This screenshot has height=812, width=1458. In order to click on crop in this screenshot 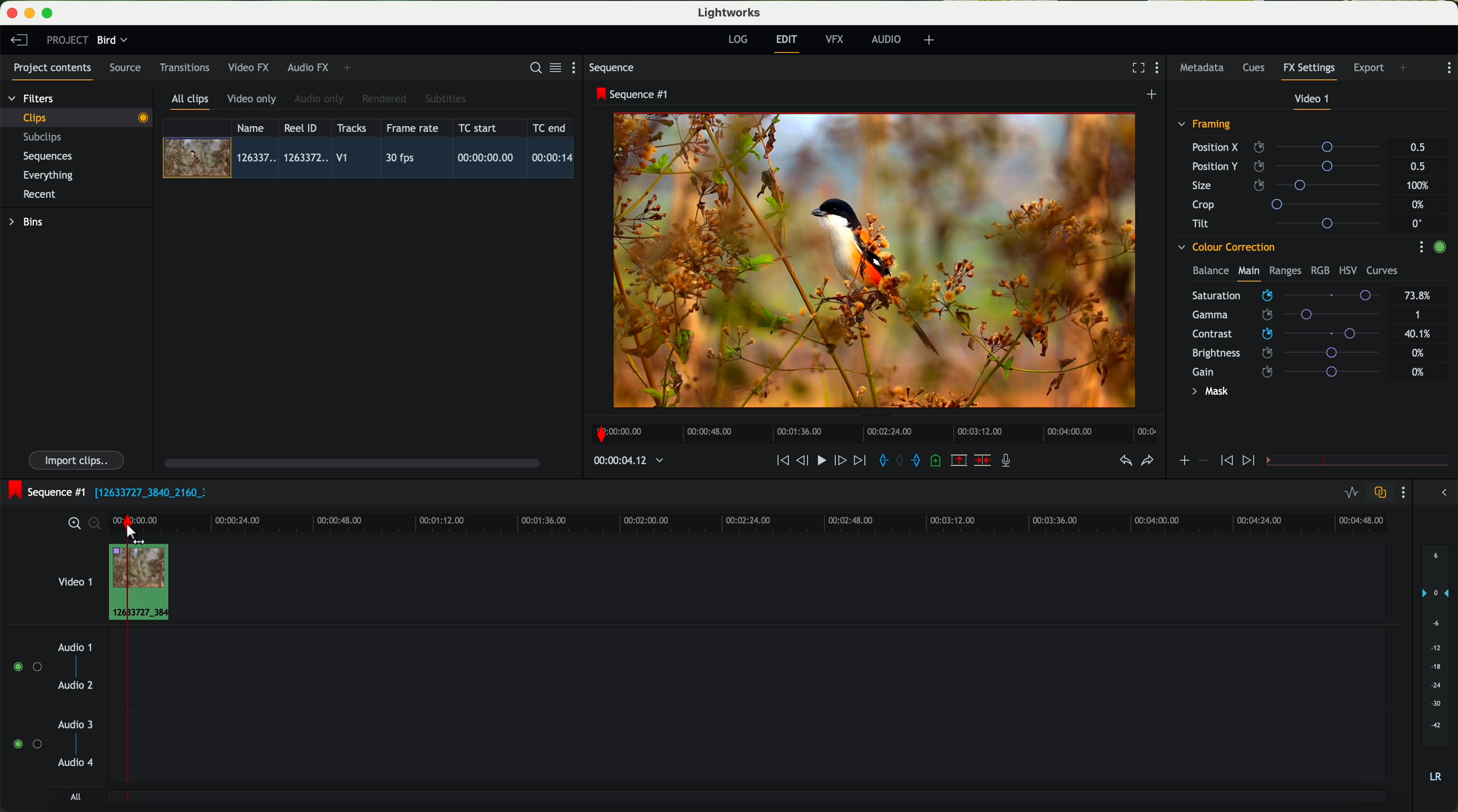, I will do `click(1290, 204)`.